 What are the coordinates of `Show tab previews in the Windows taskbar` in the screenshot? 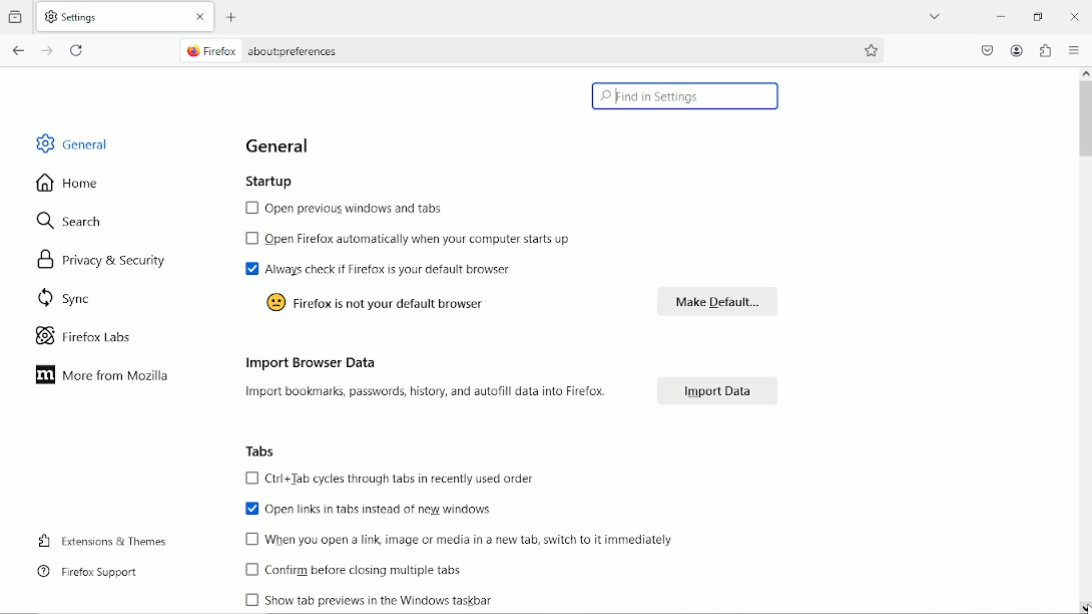 It's located at (369, 601).